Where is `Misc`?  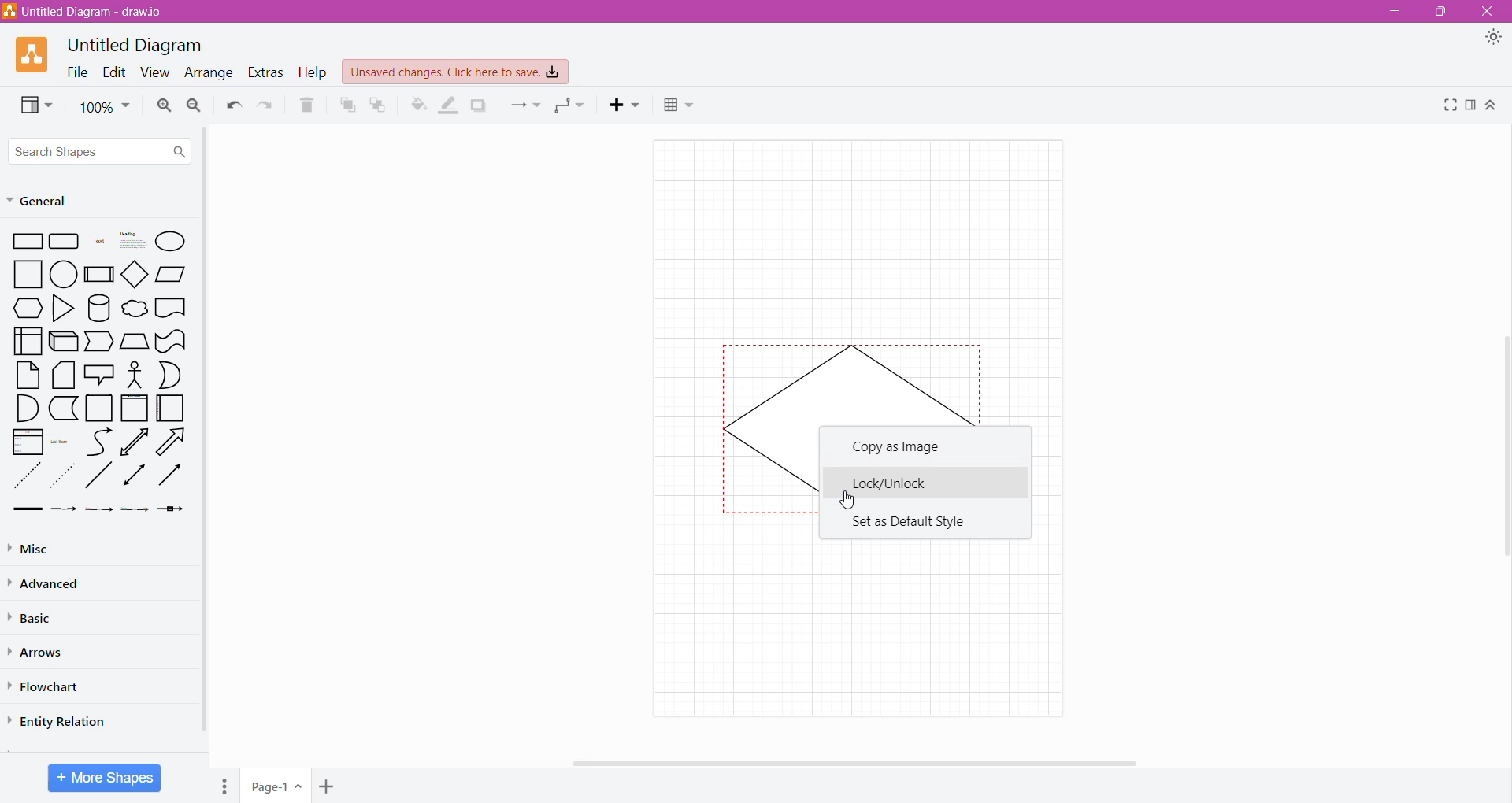 Misc is located at coordinates (31, 549).